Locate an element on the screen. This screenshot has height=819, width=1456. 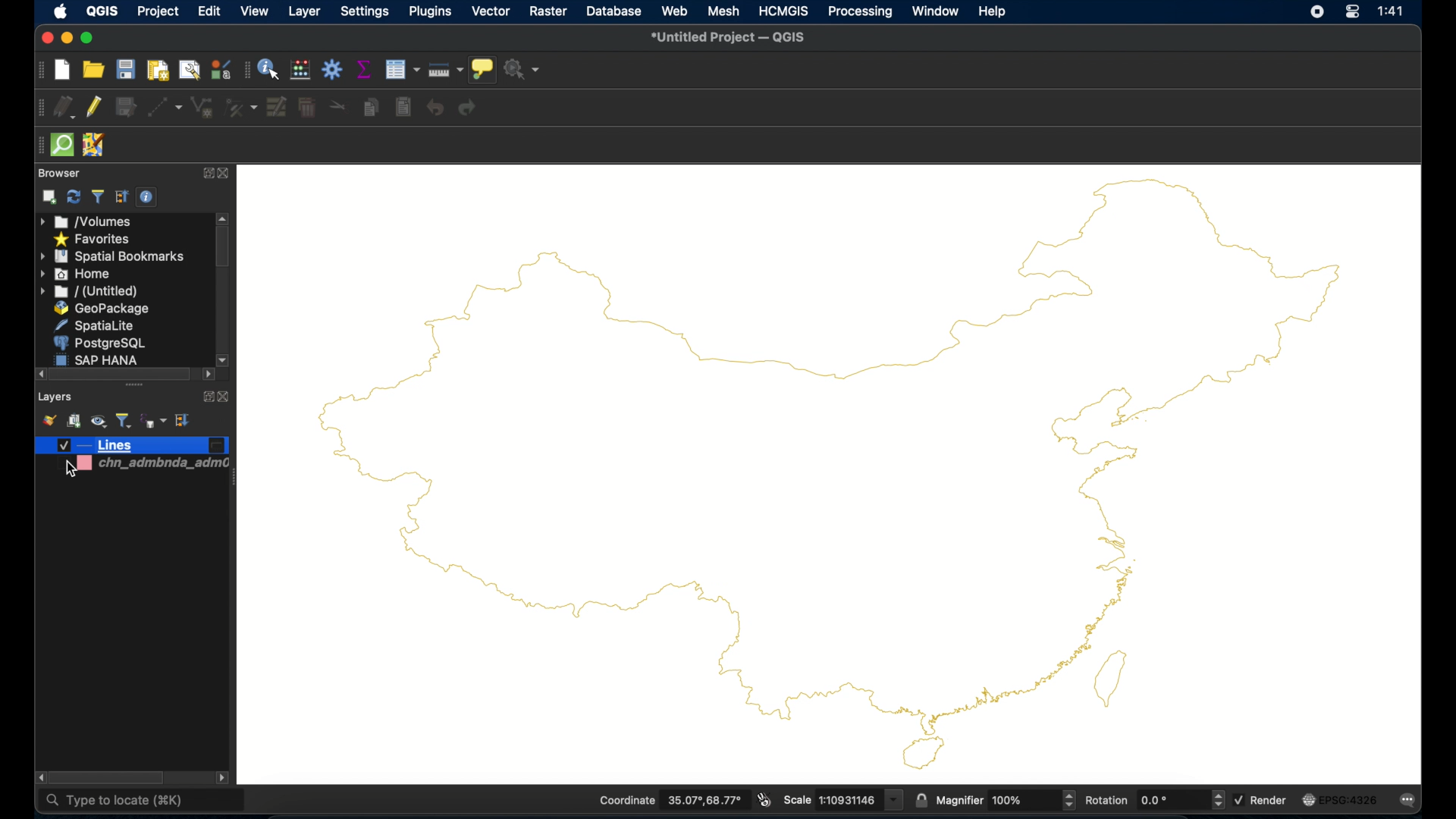
drag handles is located at coordinates (136, 387).